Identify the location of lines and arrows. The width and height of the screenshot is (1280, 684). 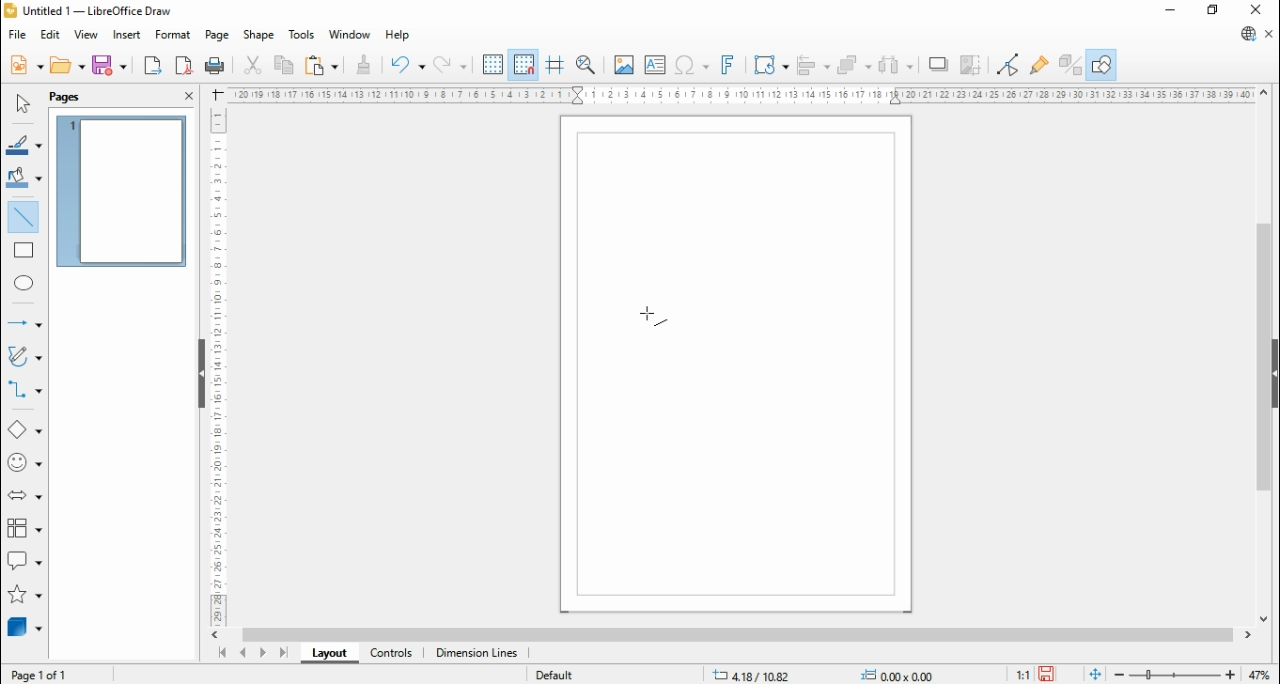
(22, 323).